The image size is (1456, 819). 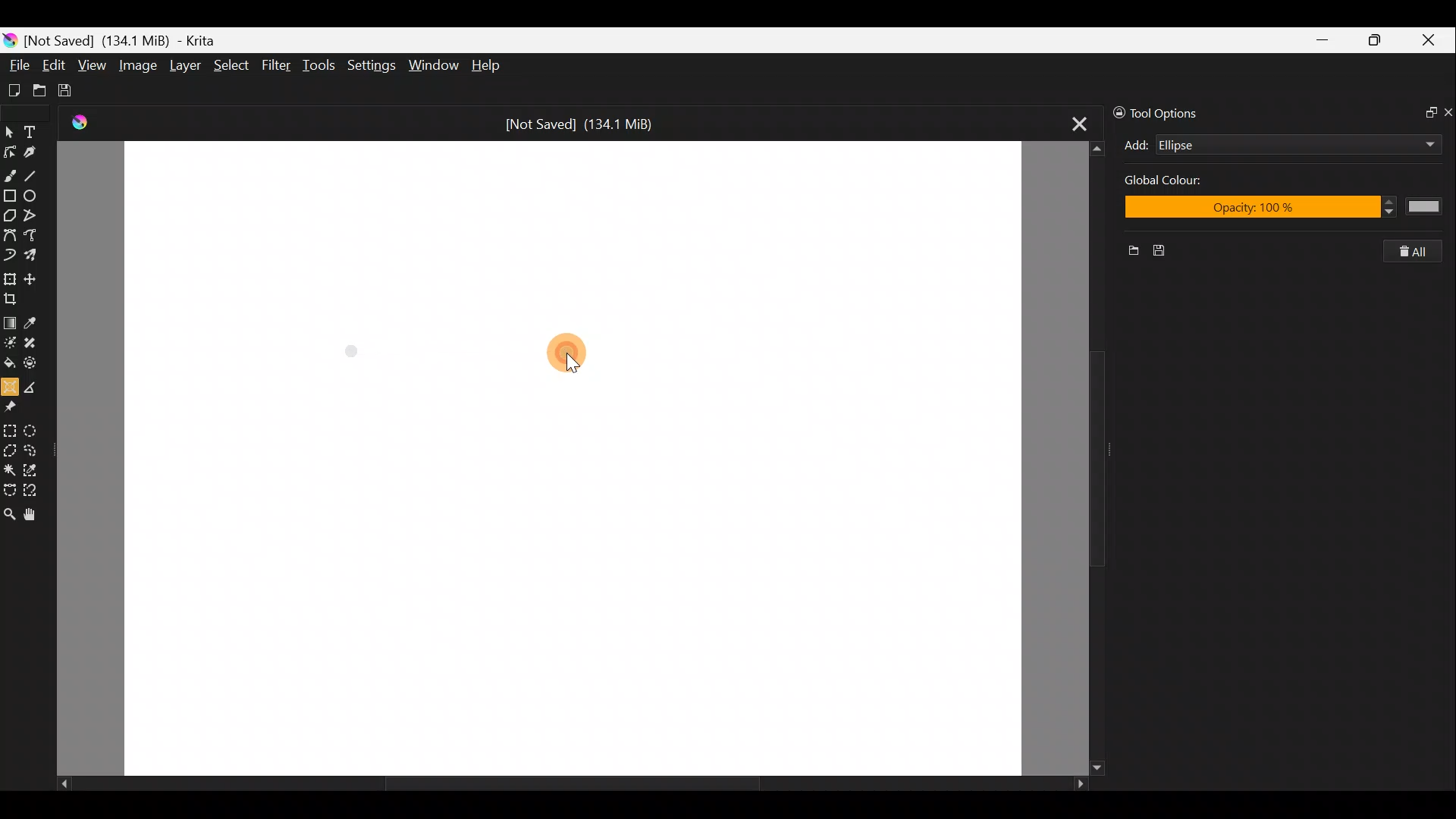 I want to click on Open existing document, so click(x=37, y=89).